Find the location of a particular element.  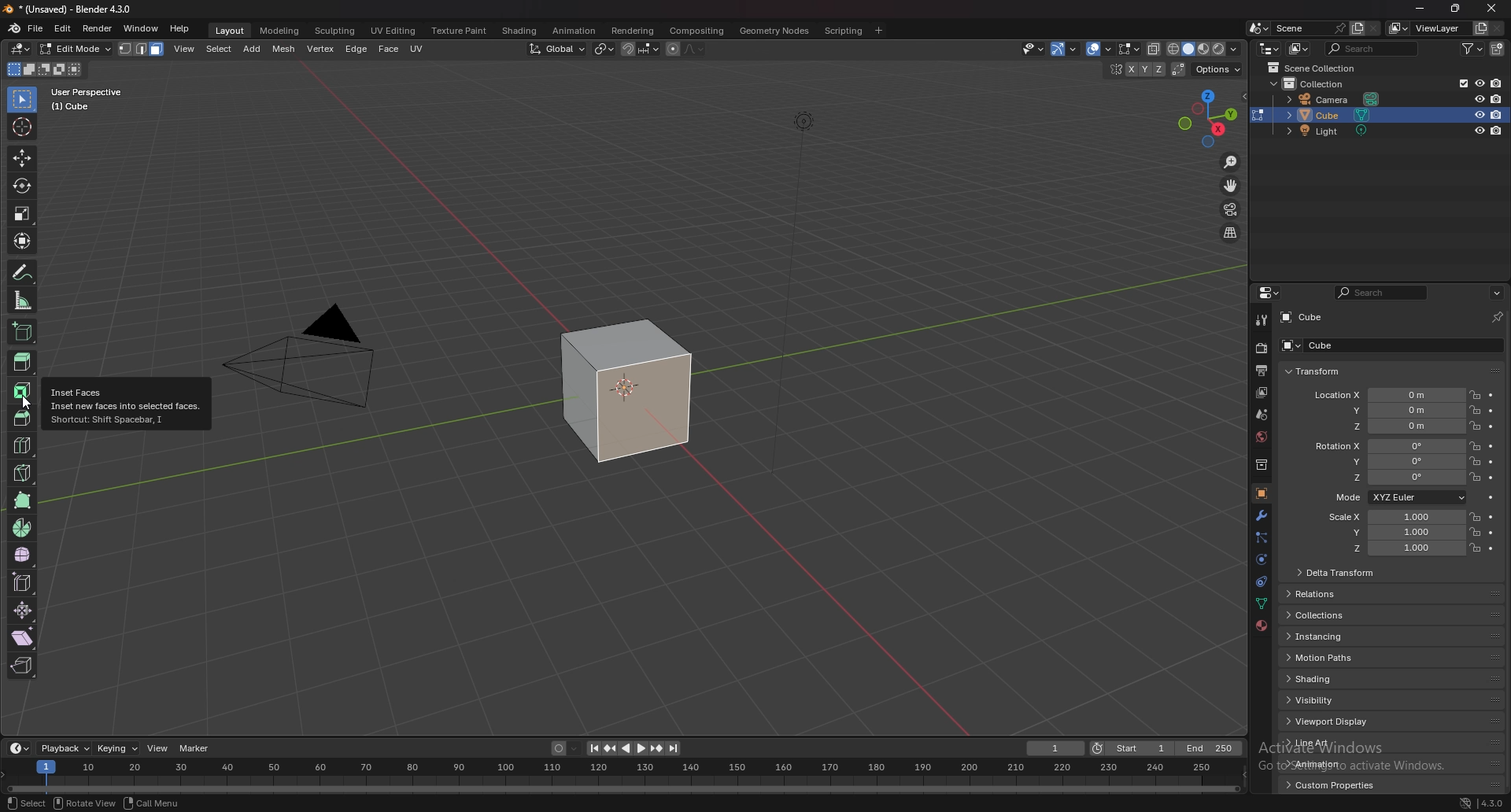

filter is located at coordinates (1471, 49).